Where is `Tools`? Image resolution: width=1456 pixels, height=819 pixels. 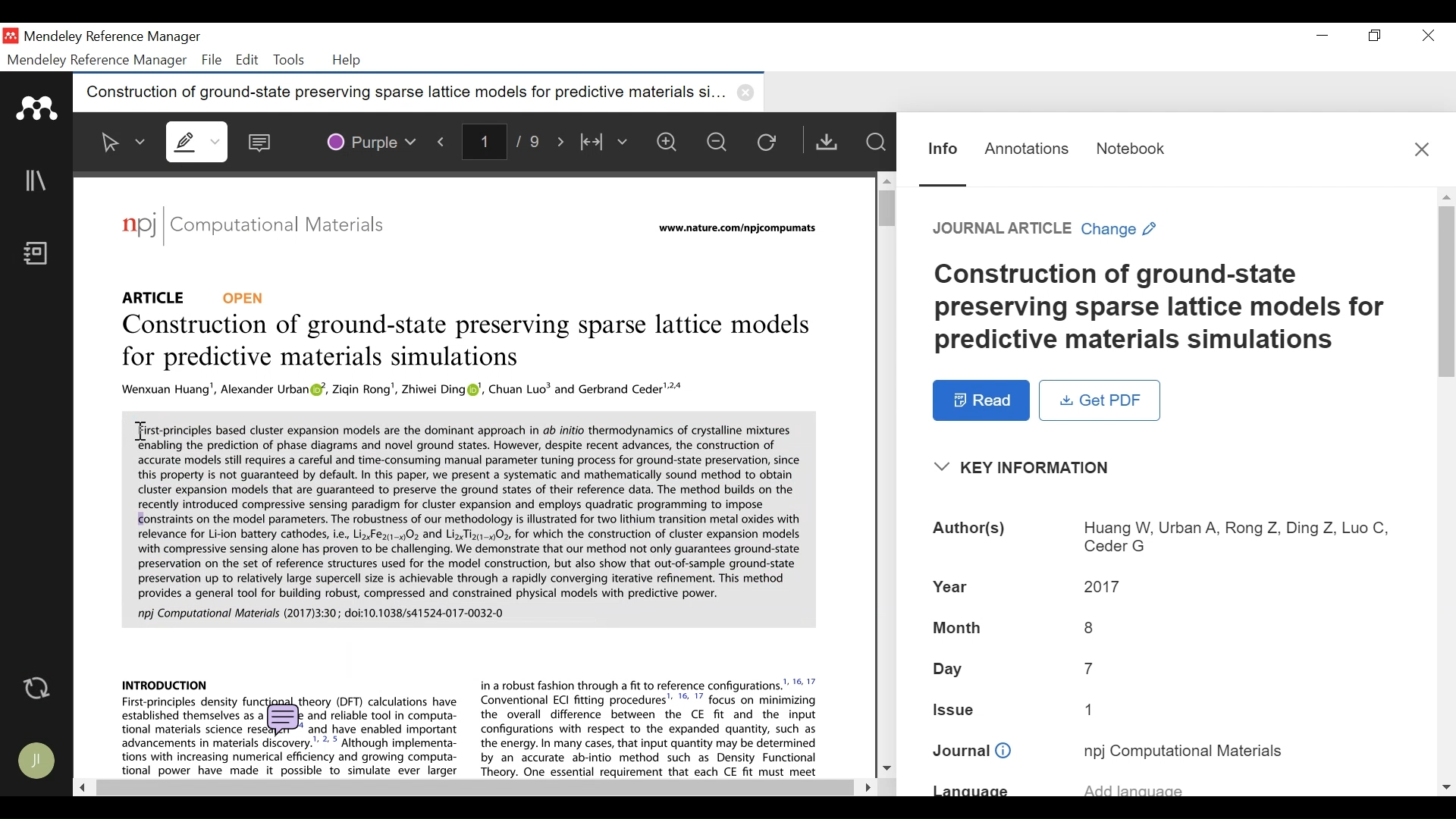
Tools is located at coordinates (287, 60).